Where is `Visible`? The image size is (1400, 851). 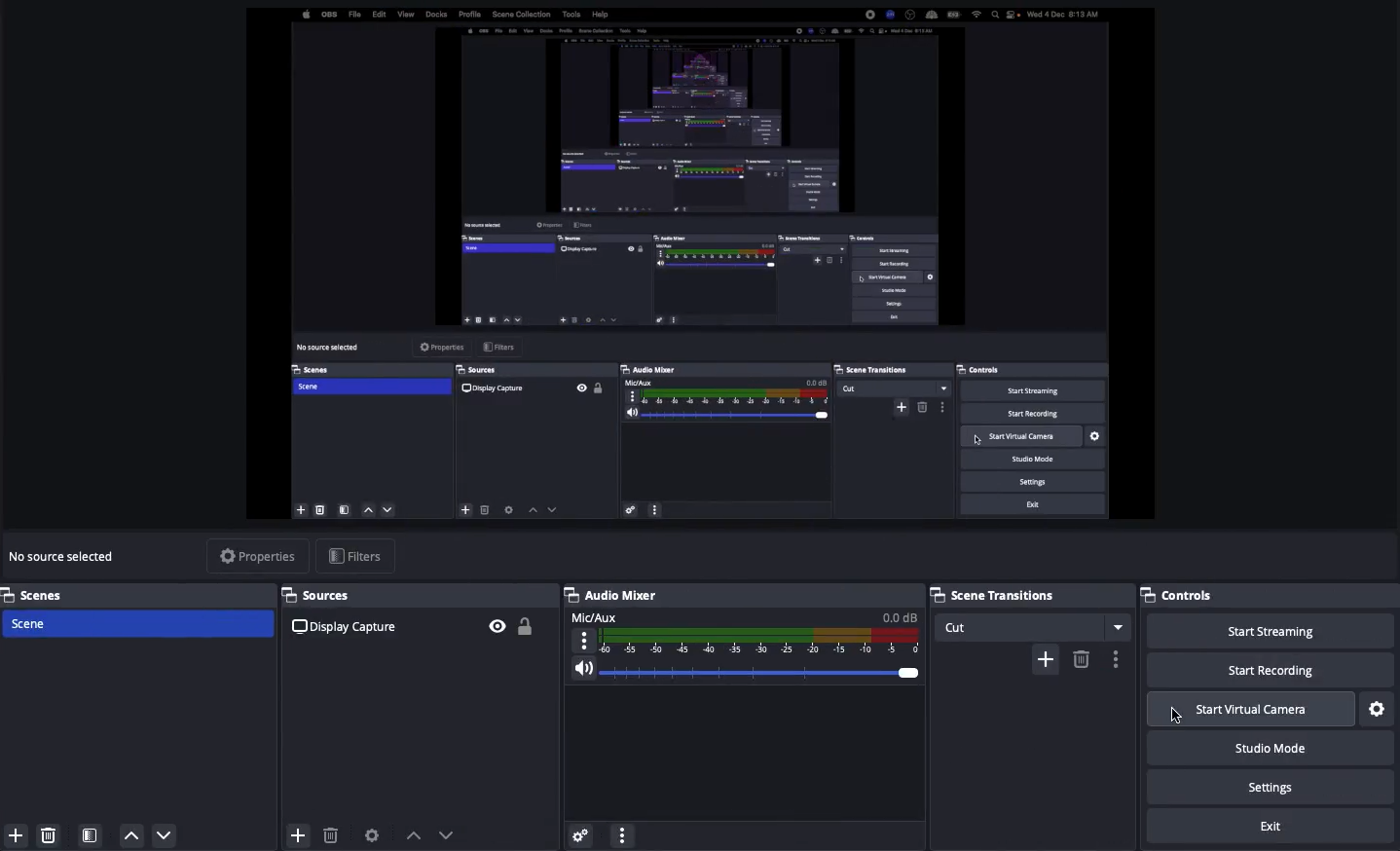
Visible is located at coordinates (497, 624).